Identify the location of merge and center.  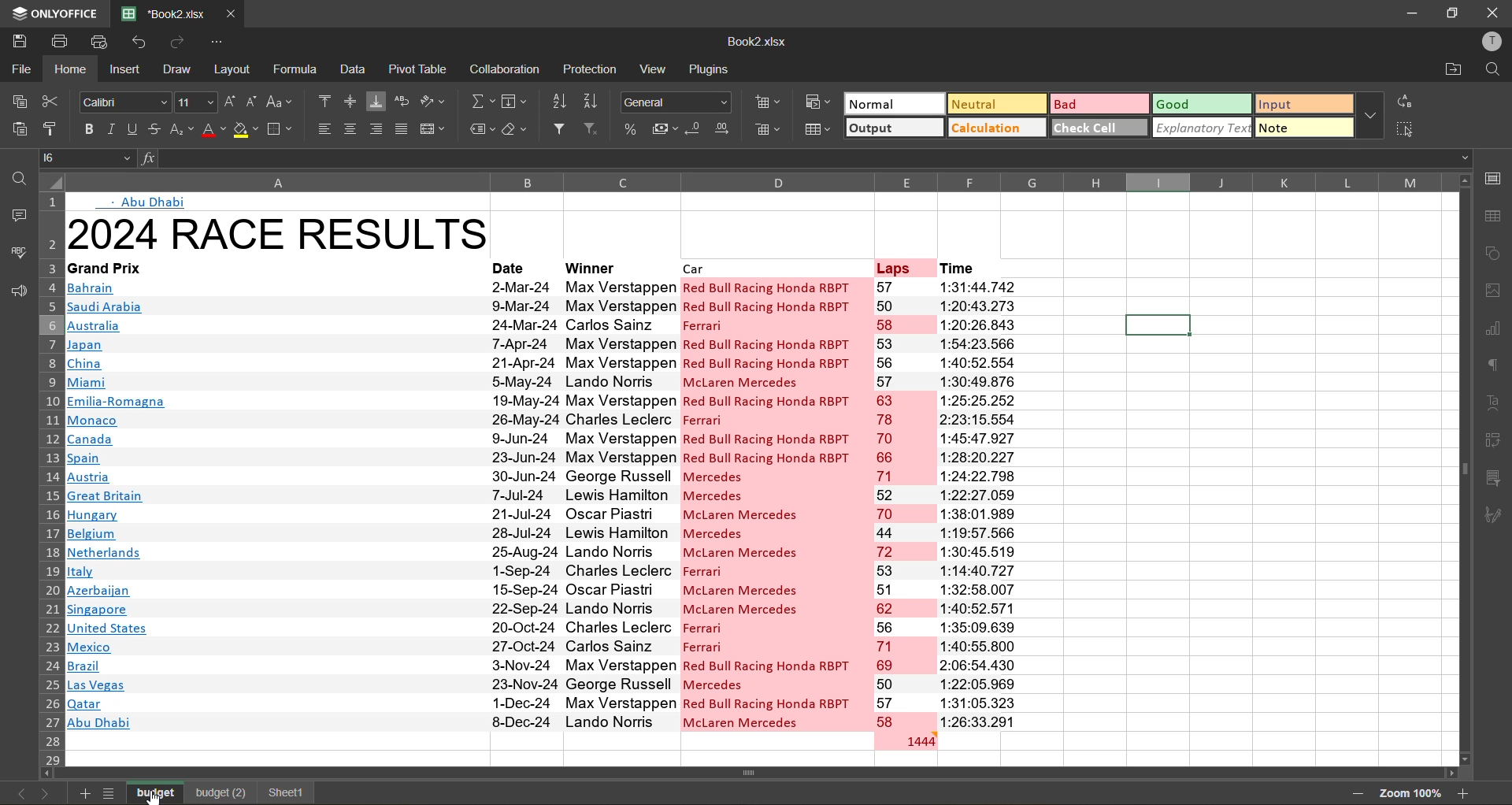
(435, 128).